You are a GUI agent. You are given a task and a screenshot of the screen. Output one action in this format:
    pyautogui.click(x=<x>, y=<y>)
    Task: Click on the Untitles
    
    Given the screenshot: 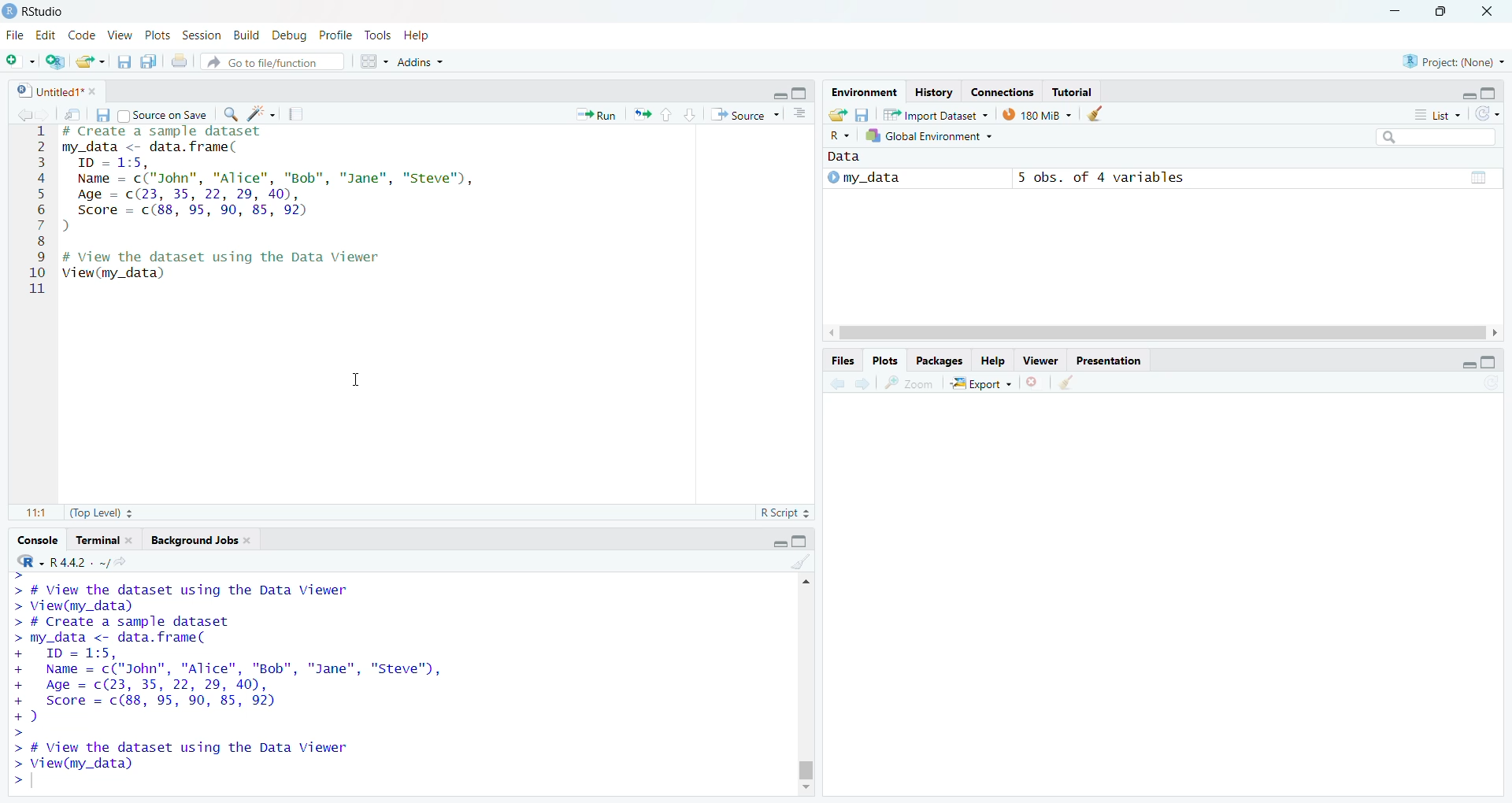 What is the action you would take?
    pyautogui.click(x=55, y=91)
    